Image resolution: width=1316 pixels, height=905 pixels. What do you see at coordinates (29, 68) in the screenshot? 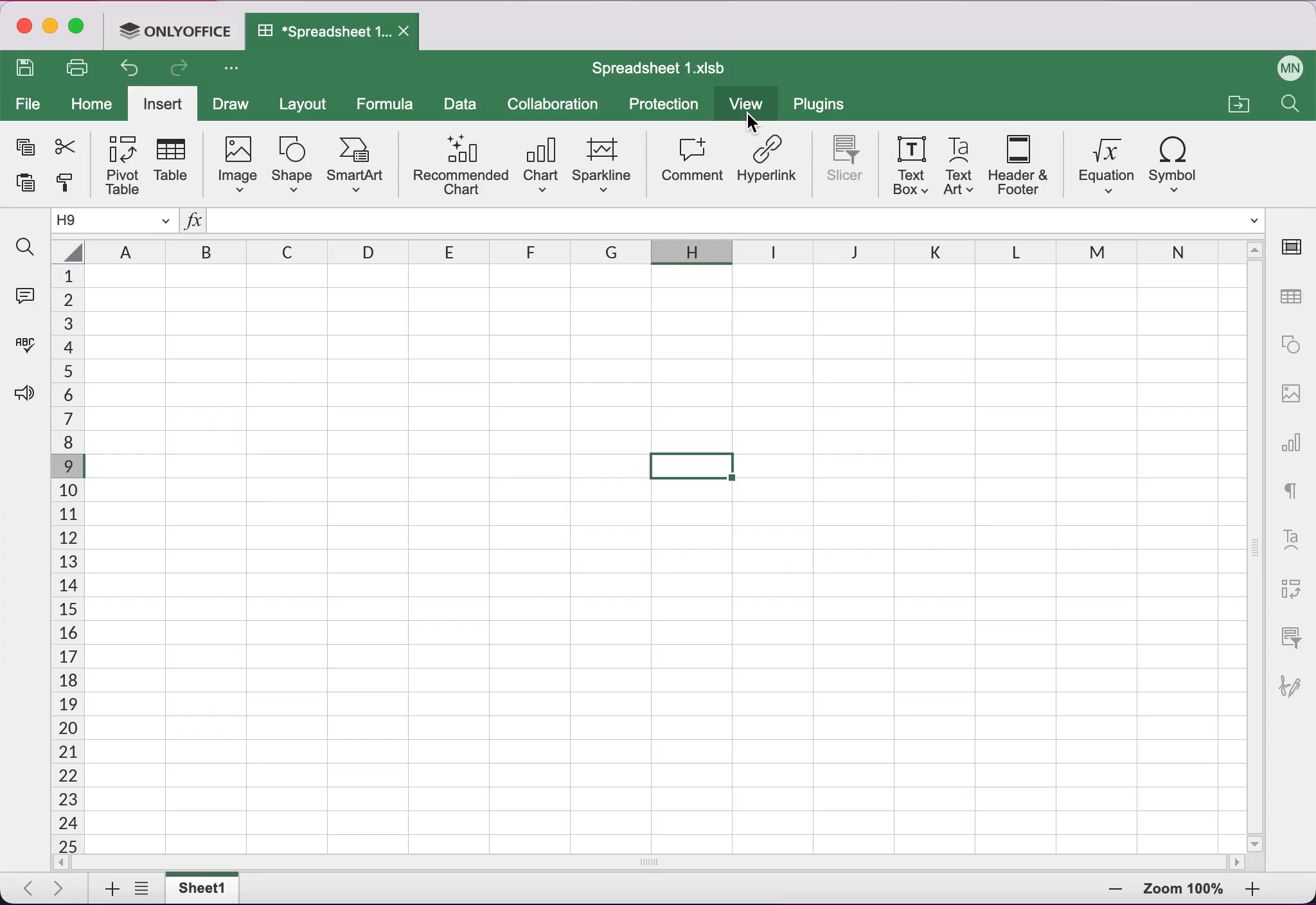
I see `save` at bounding box center [29, 68].